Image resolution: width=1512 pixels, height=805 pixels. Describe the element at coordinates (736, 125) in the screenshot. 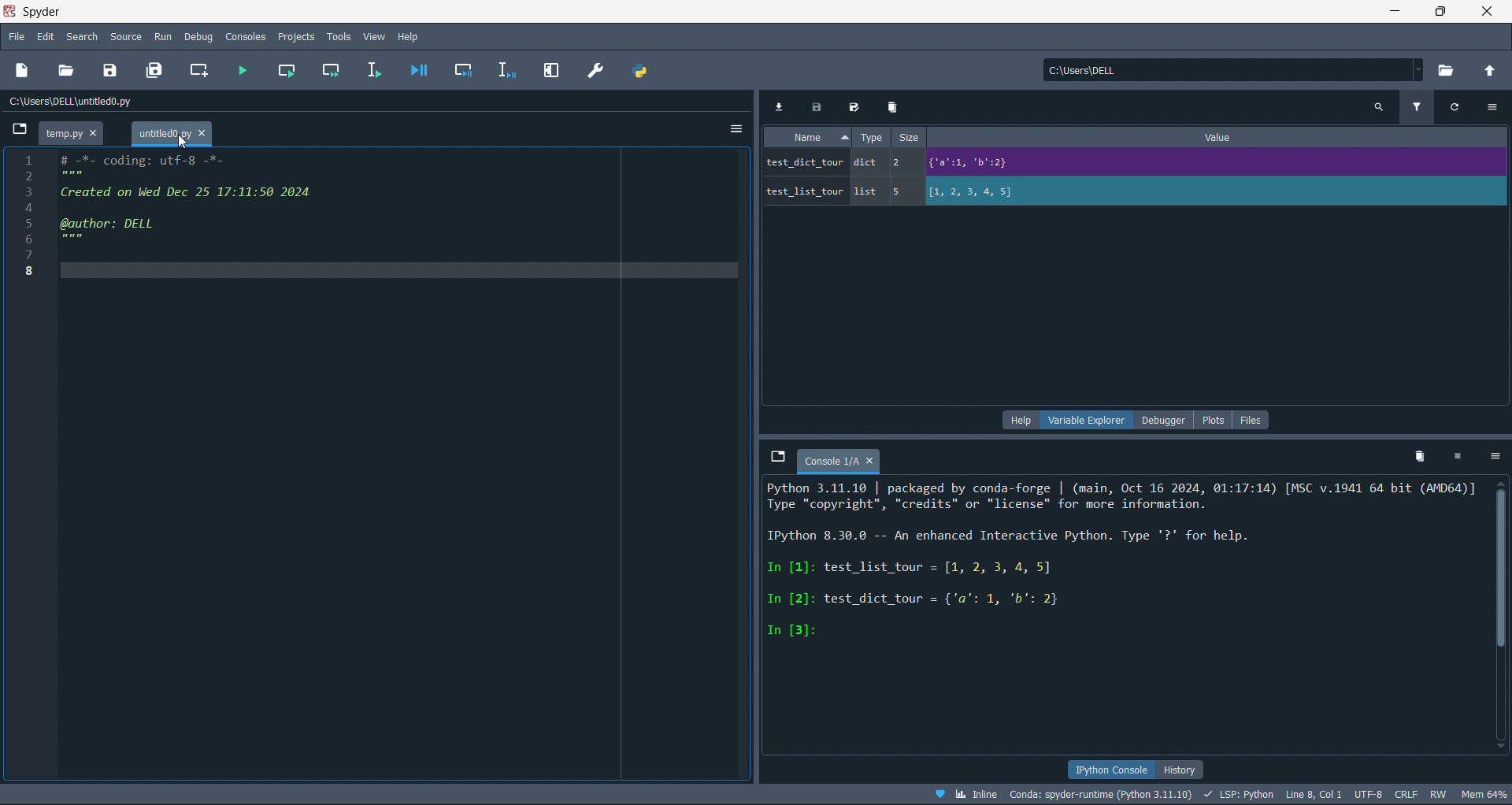

I see `options` at that location.